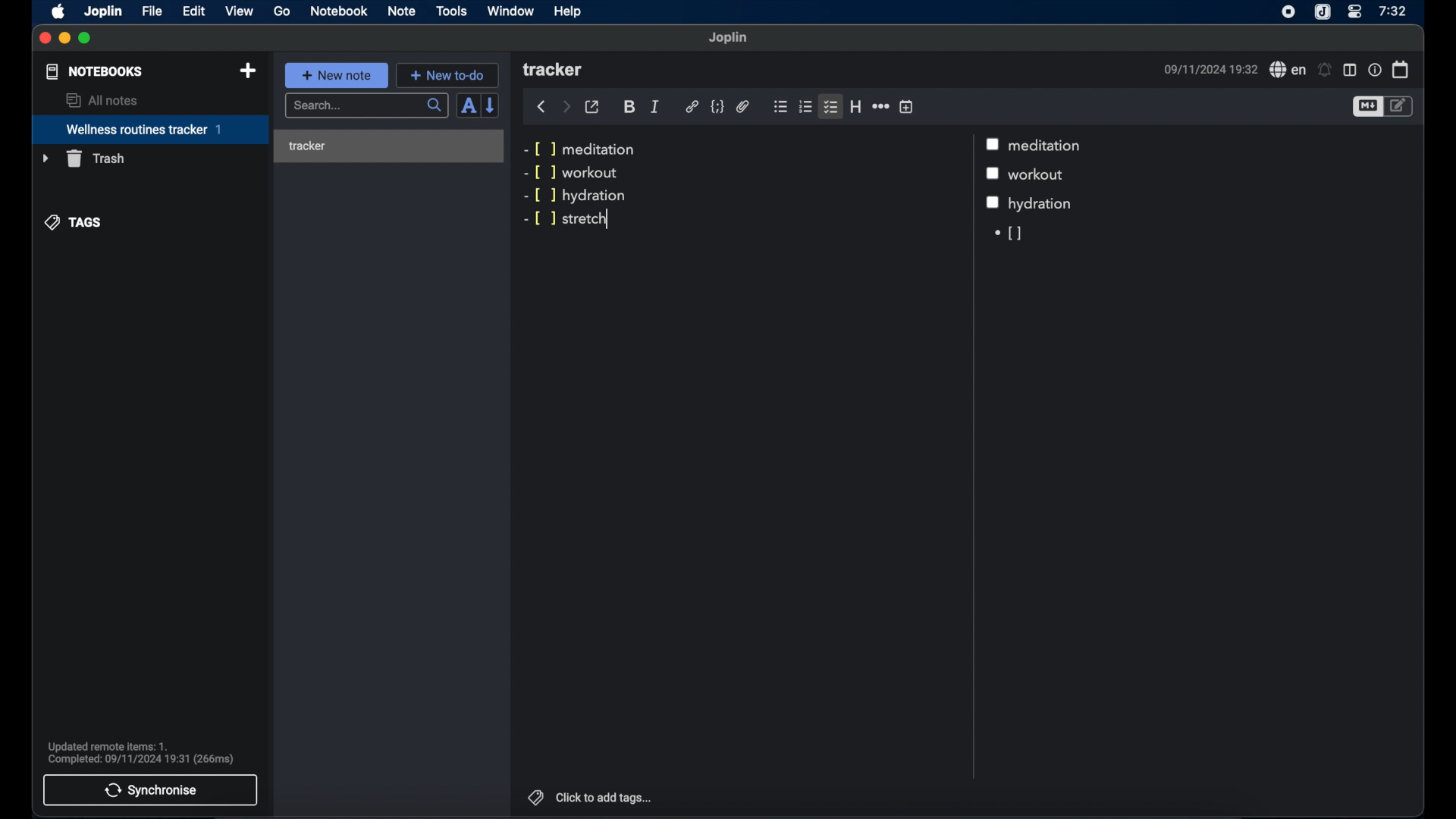 This screenshot has width=1456, height=819. Describe the element at coordinates (568, 220) in the screenshot. I see `-[ ] stretch` at that location.